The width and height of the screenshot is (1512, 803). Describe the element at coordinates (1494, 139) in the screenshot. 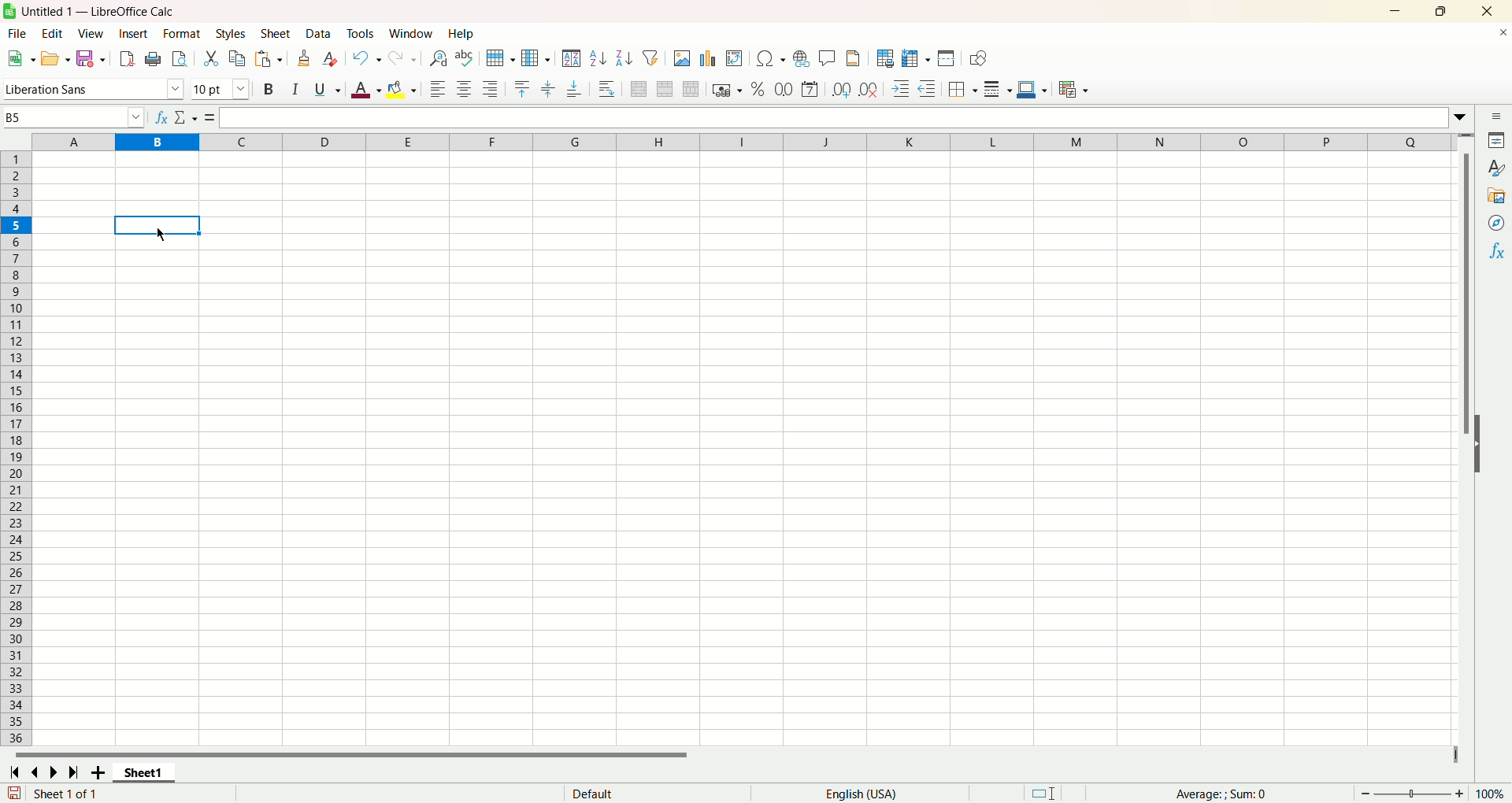

I see `properties` at that location.